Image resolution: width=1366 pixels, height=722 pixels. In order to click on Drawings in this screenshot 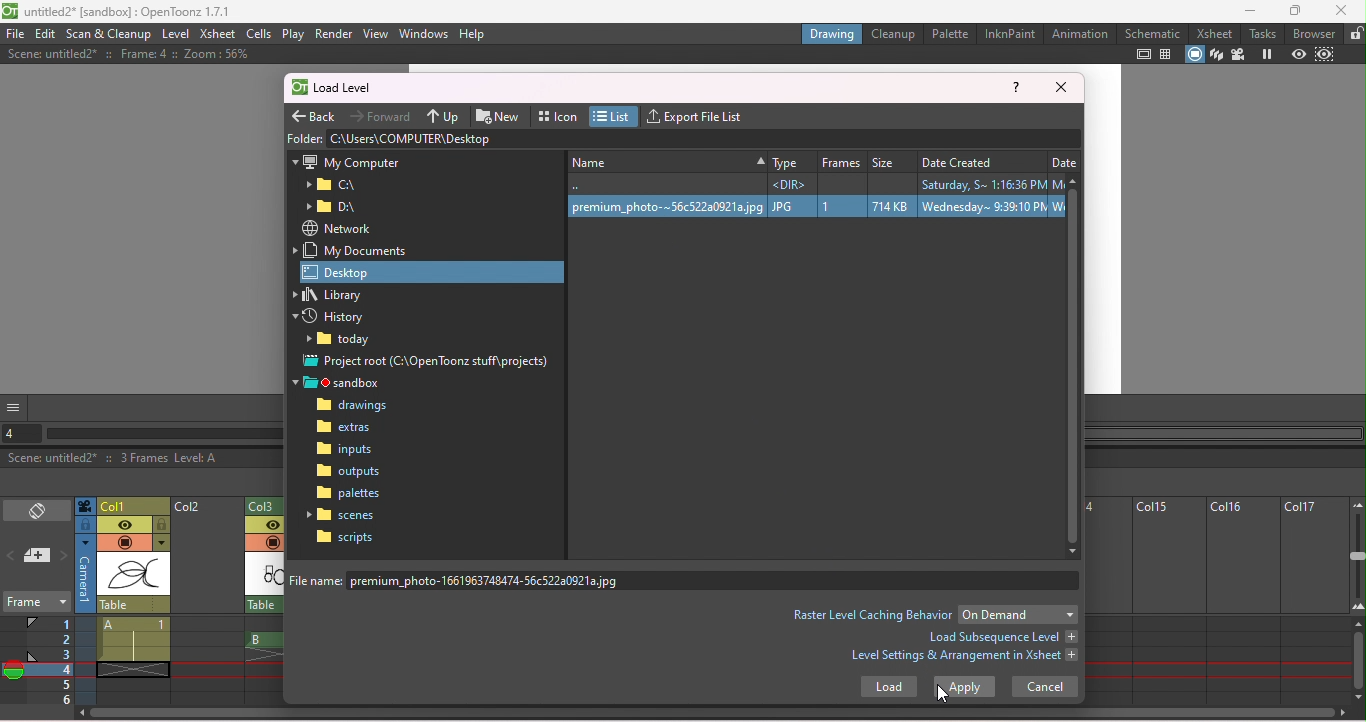, I will do `click(357, 406)`.